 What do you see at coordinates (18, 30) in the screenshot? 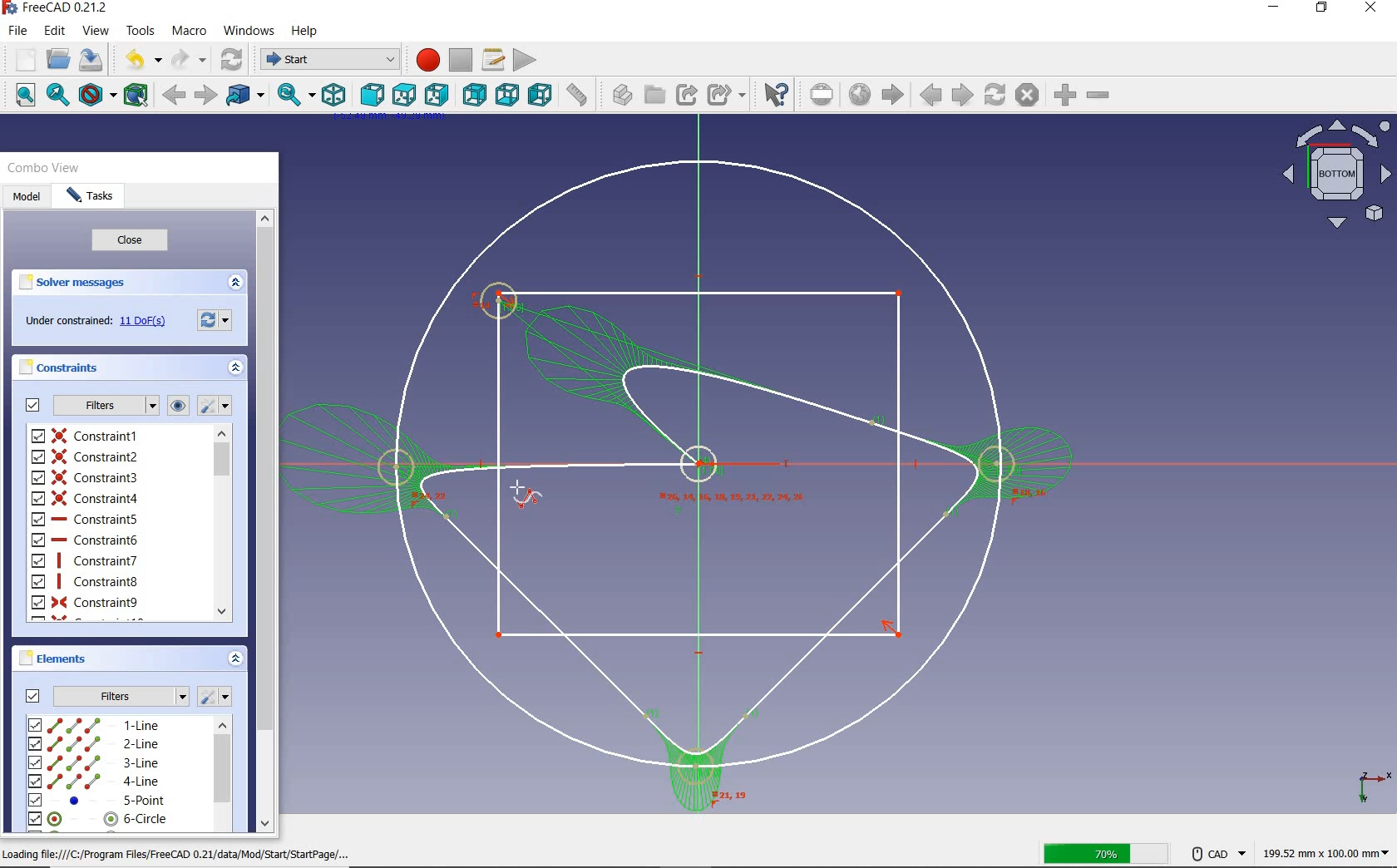
I see `file` at bounding box center [18, 30].